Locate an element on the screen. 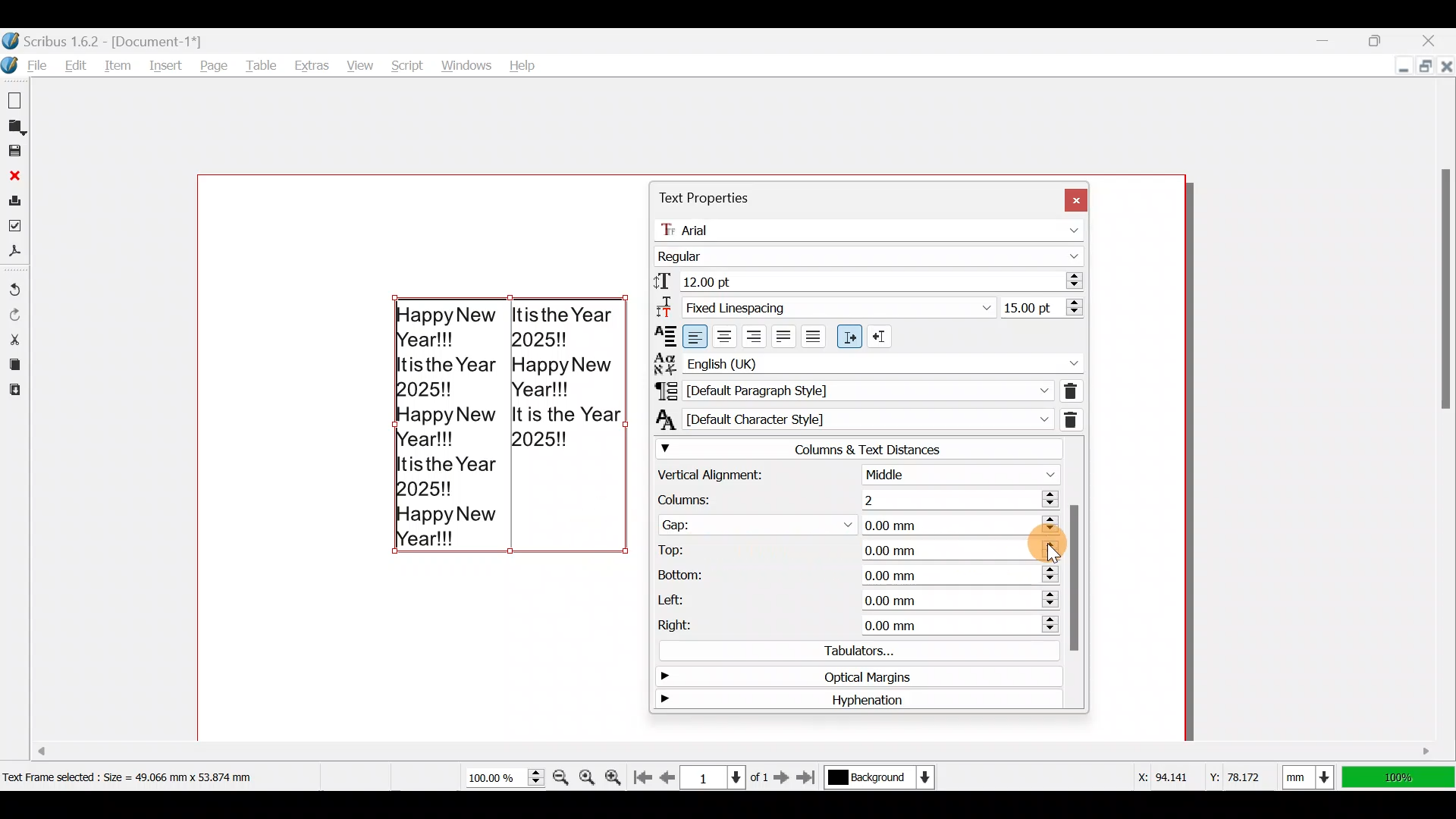 This screenshot has width=1456, height=819. Table is located at coordinates (263, 64).